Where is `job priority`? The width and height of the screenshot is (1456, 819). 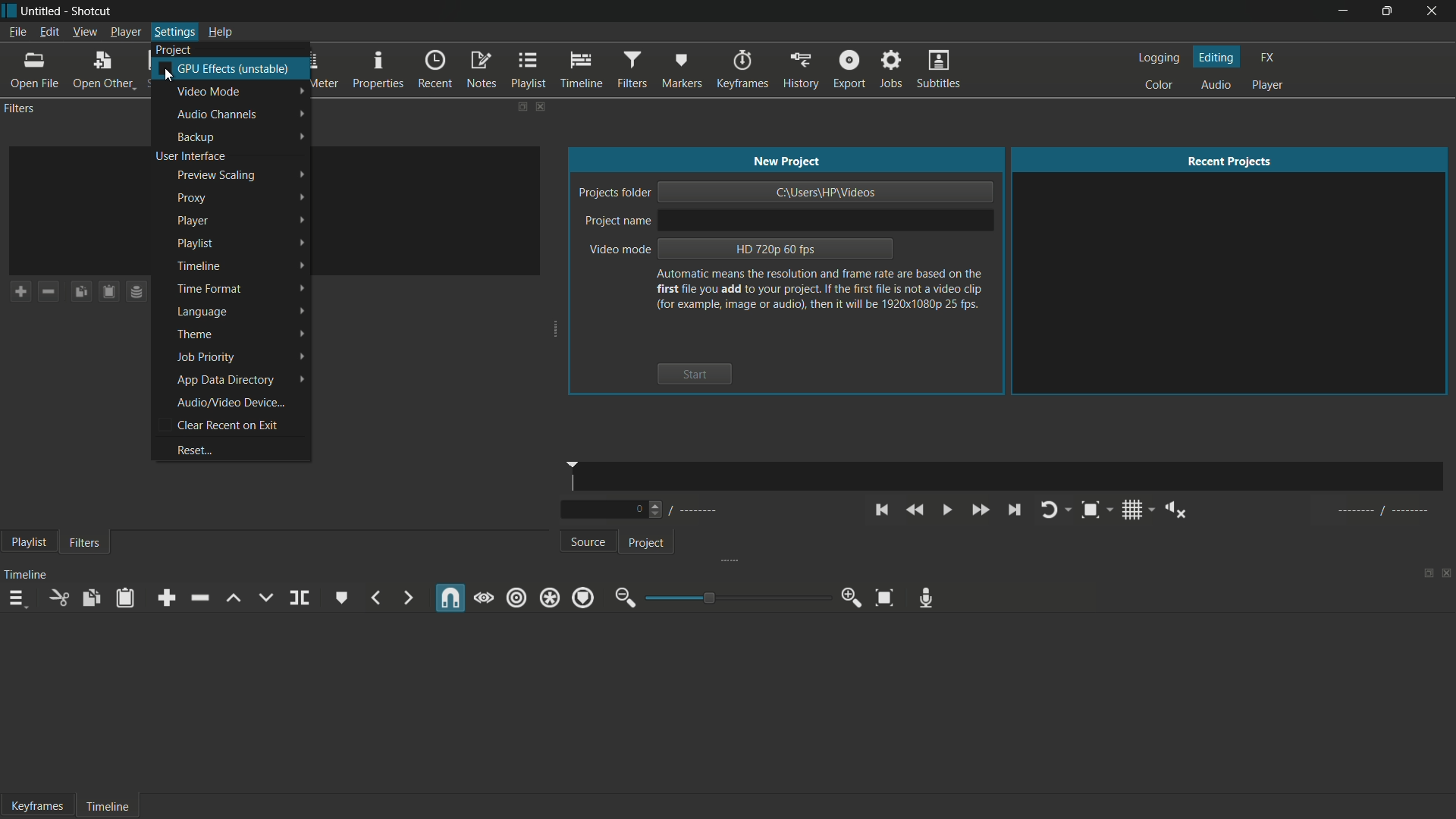
job priority is located at coordinates (205, 358).